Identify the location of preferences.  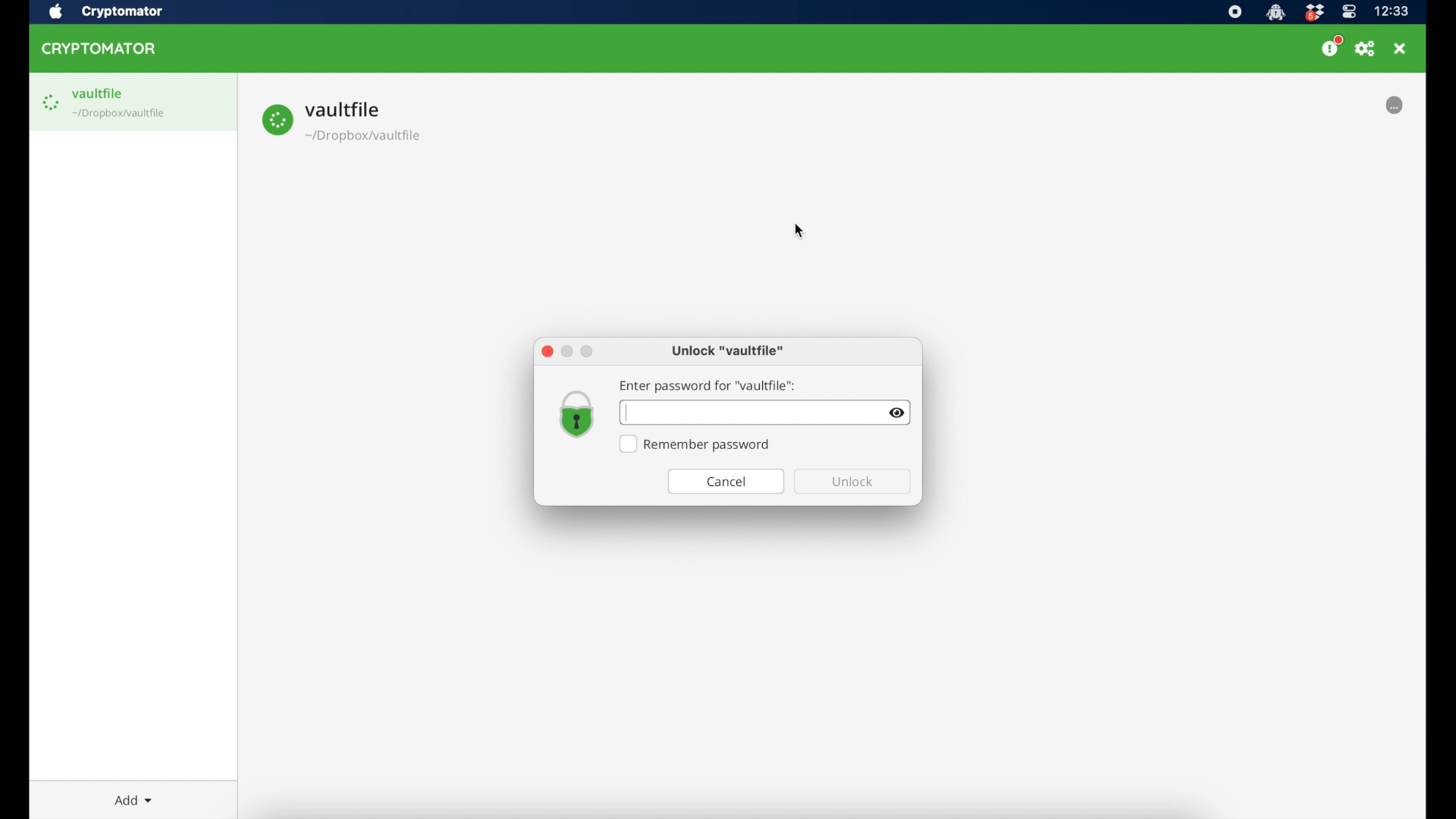
(1366, 49).